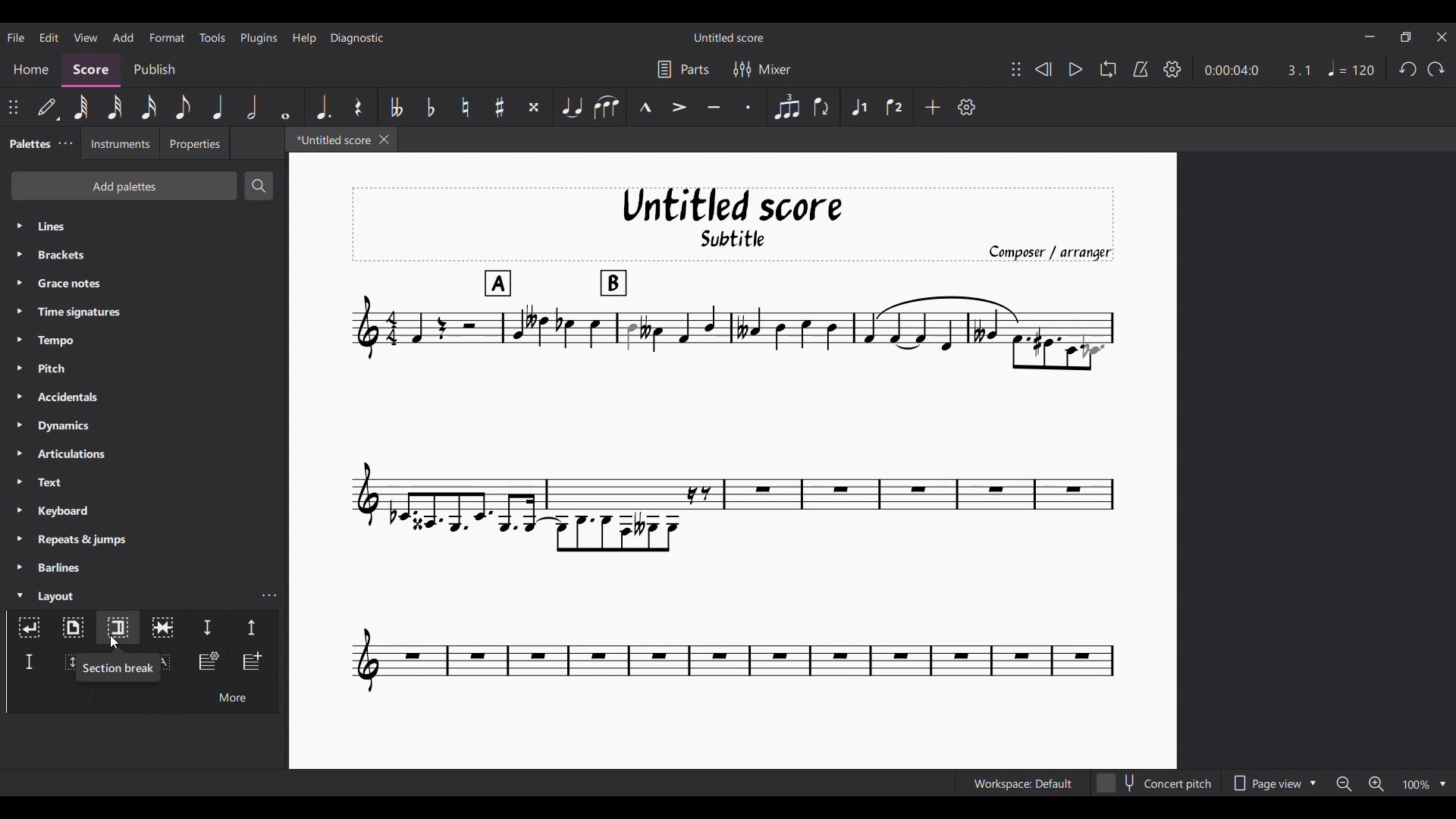 The height and width of the screenshot is (819, 1456). Describe the element at coordinates (748, 107) in the screenshot. I see `Staccato` at that location.